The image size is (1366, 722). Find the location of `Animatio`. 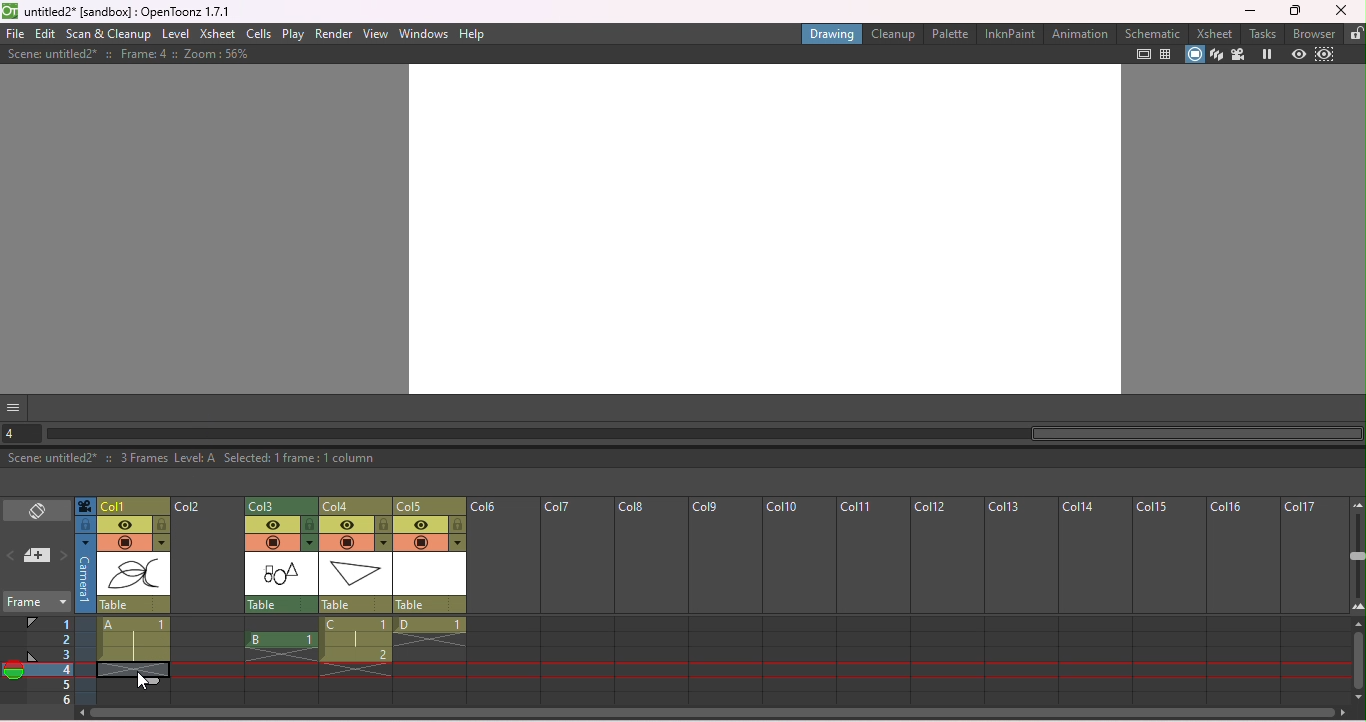

Animatio is located at coordinates (1079, 33).